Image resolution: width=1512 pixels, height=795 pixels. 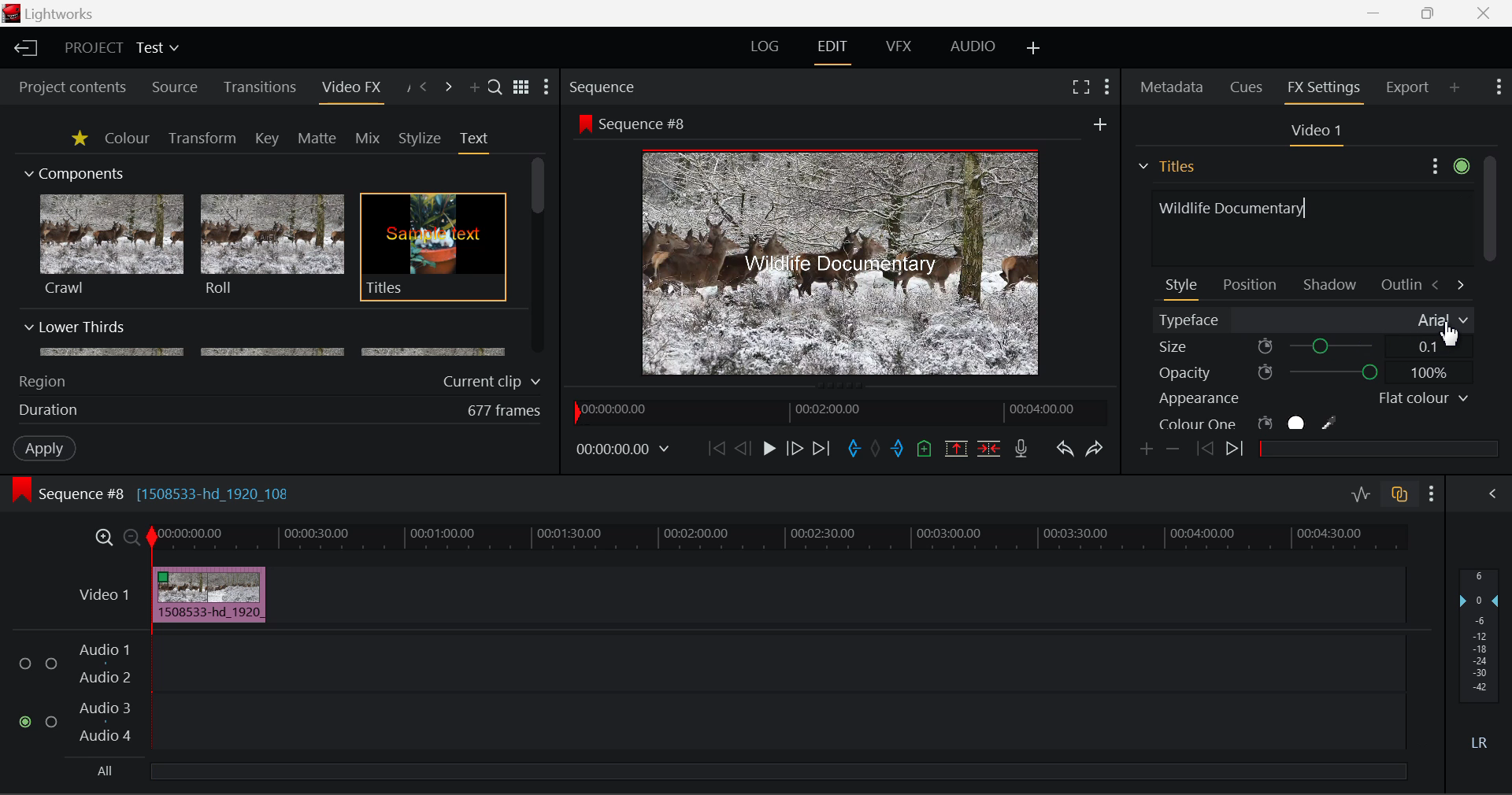 I want to click on Settings, so click(x=1447, y=164).